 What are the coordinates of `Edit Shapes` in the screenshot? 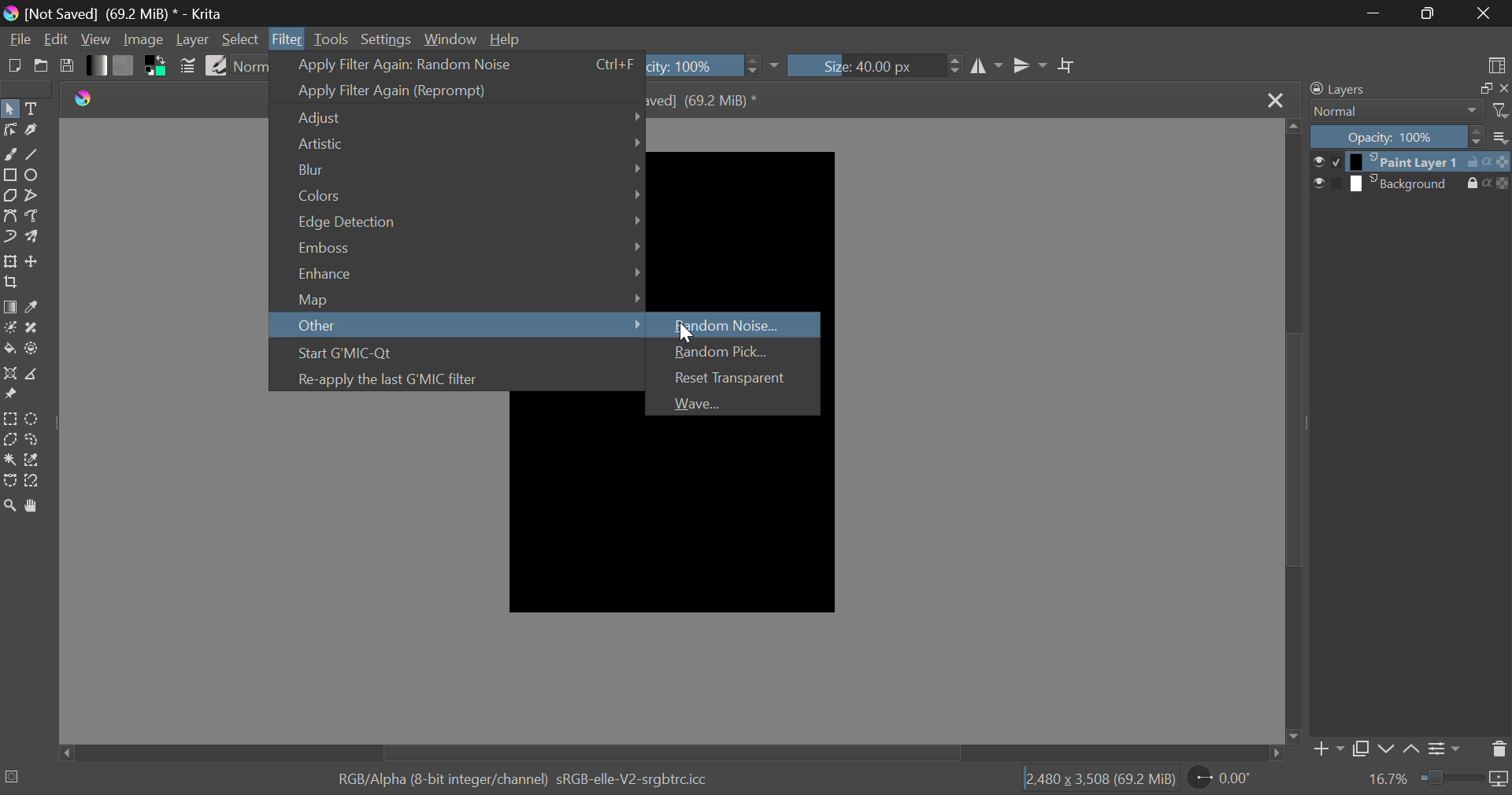 It's located at (9, 133).